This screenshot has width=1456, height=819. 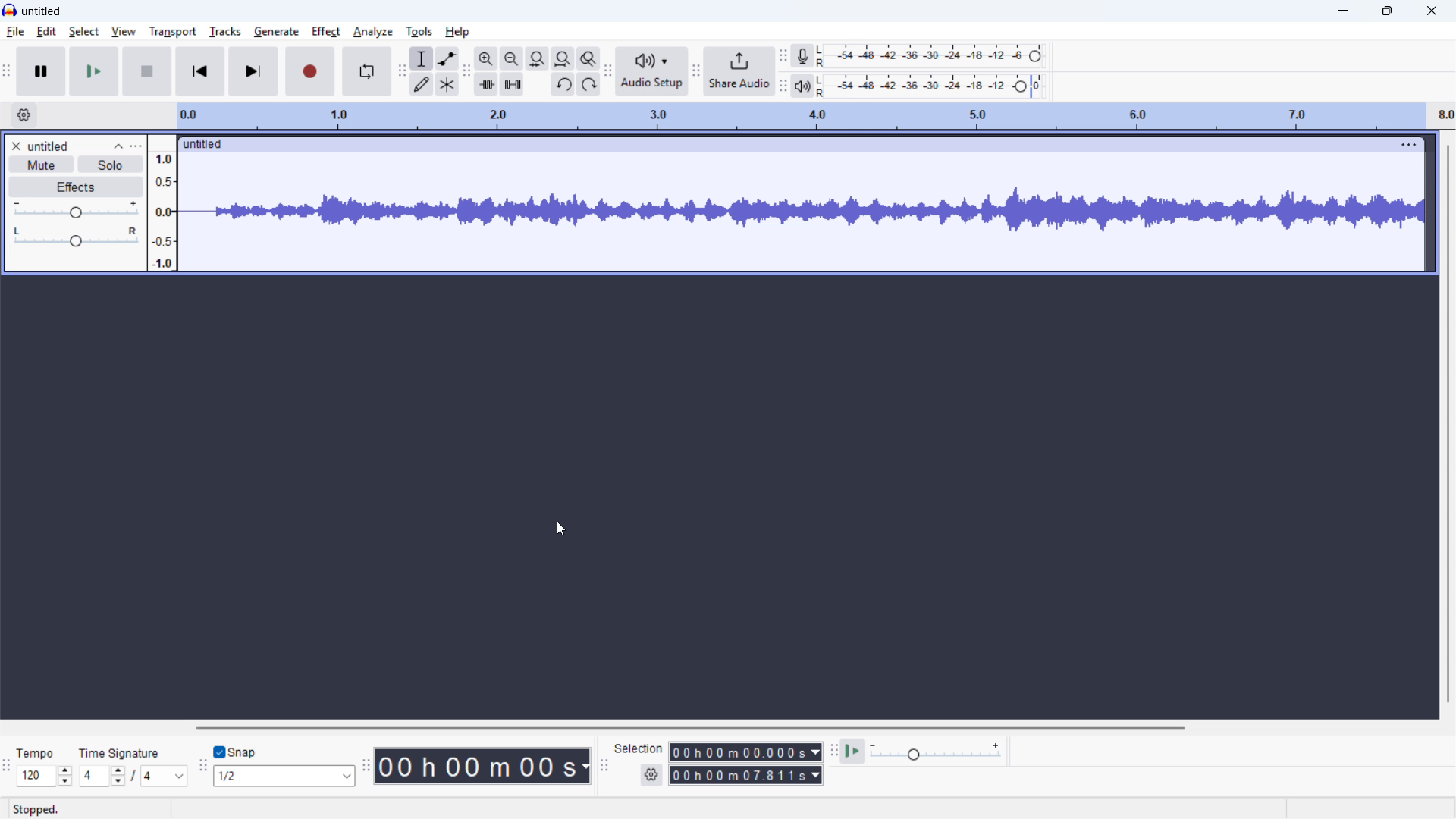 What do you see at coordinates (421, 85) in the screenshot?
I see `Draw tool ` at bounding box center [421, 85].